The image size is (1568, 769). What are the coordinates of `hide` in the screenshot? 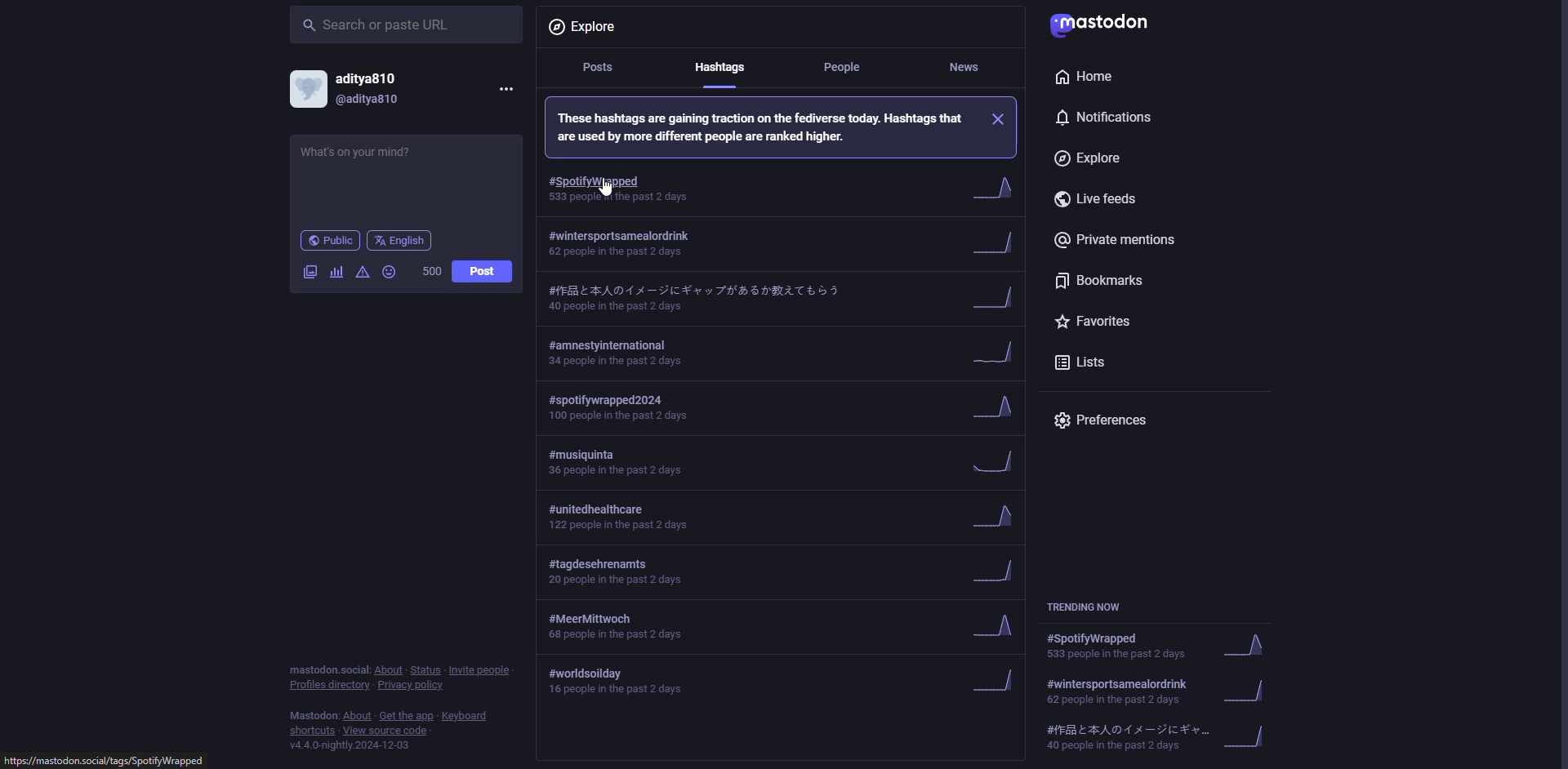 It's located at (986, 251).